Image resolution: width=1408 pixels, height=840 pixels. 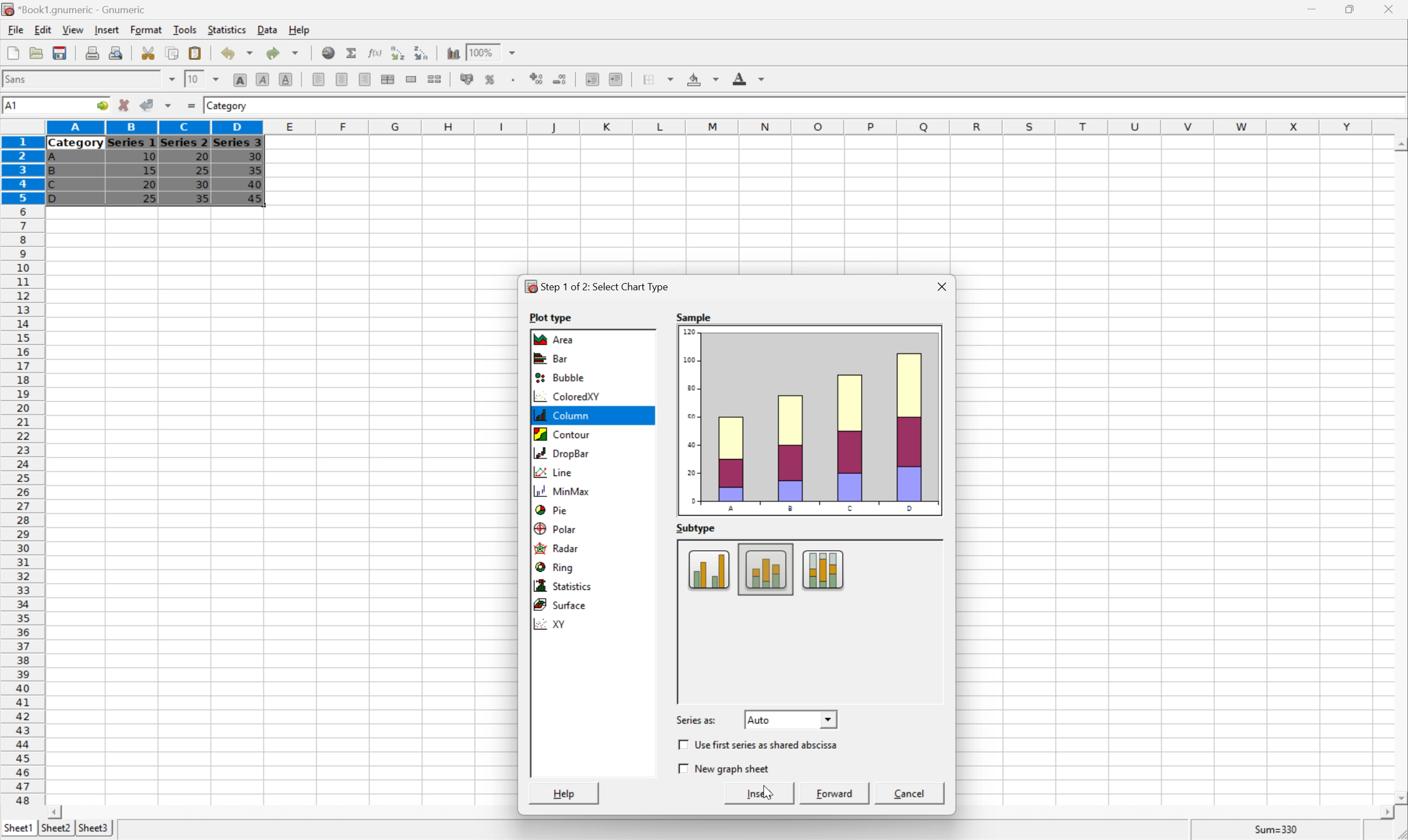 What do you see at coordinates (124, 103) in the screenshot?
I see `Cancel changes` at bounding box center [124, 103].